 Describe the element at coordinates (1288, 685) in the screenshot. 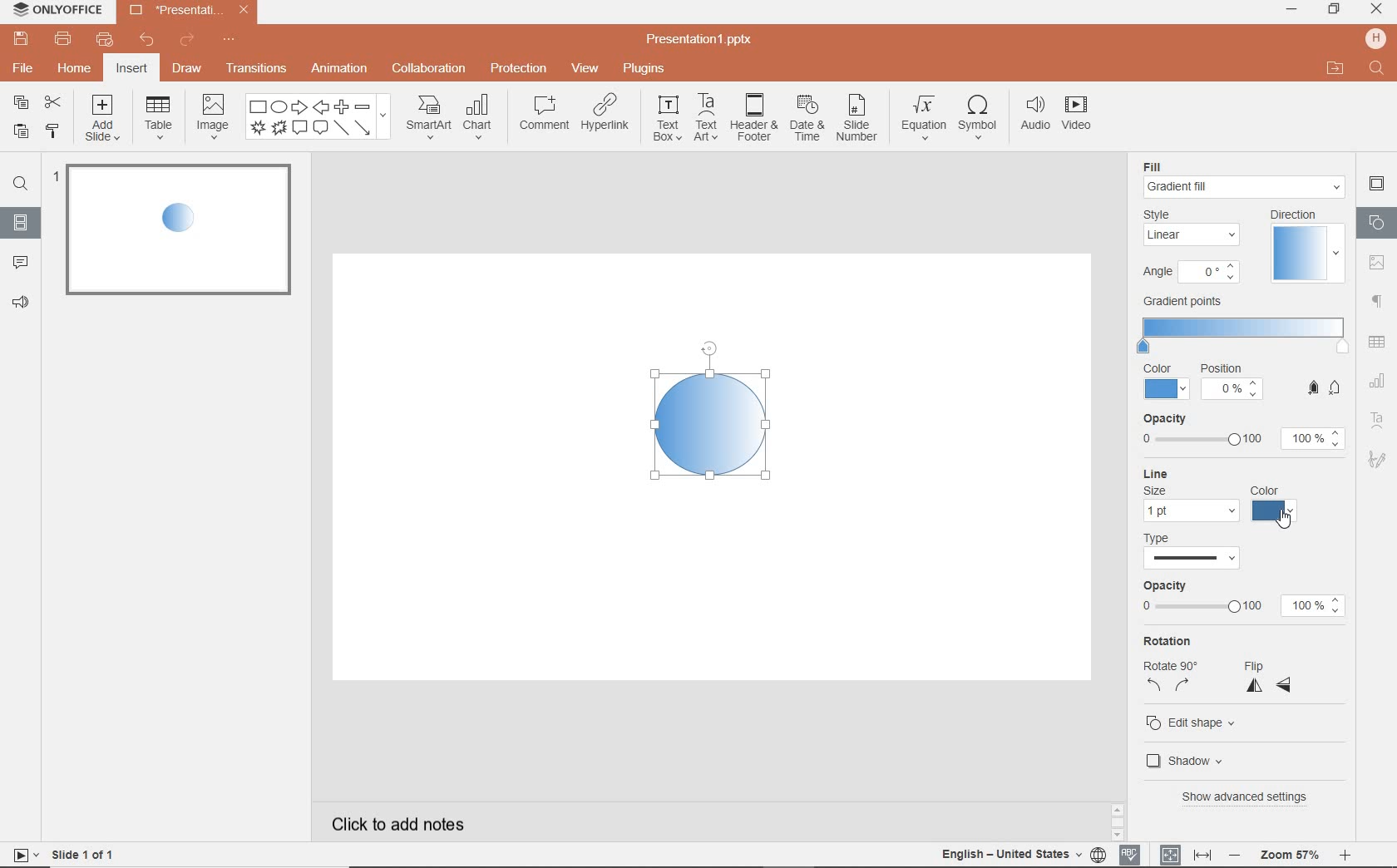

I see `horizontal` at that location.